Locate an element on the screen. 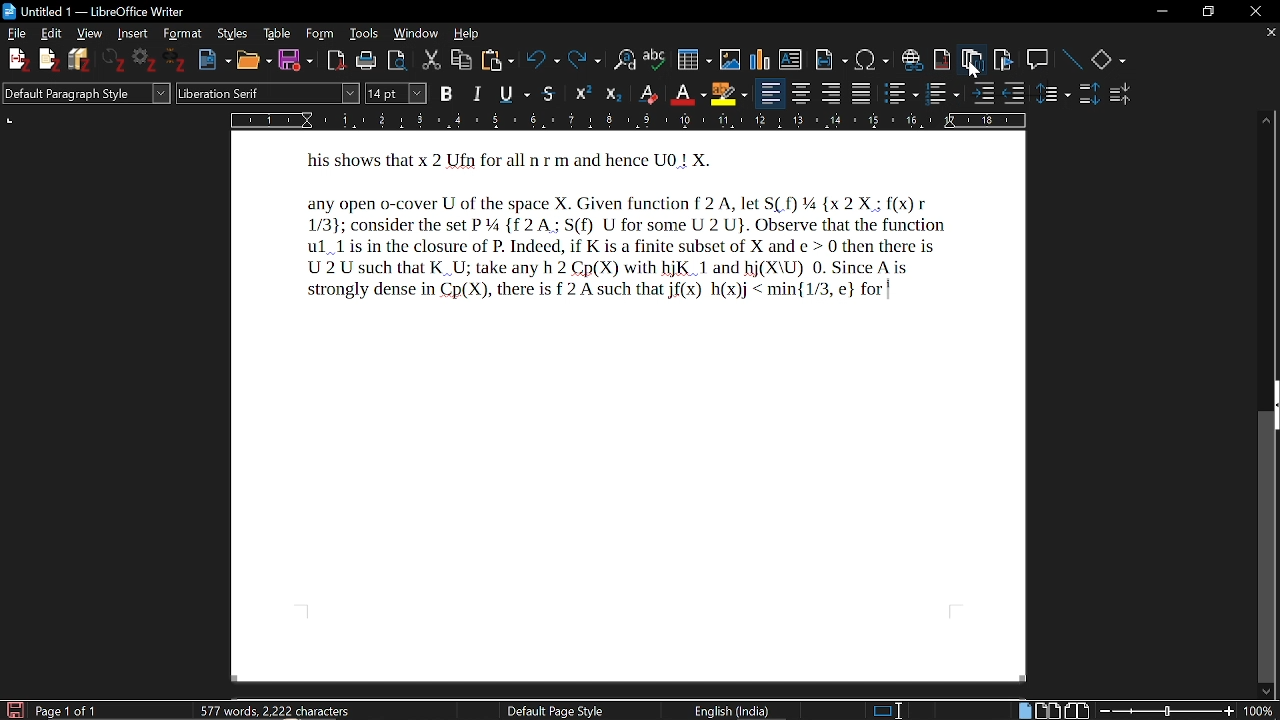 Image resolution: width=1280 pixels, height=720 pixels. Strikethrough is located at coordinates (549, 93).